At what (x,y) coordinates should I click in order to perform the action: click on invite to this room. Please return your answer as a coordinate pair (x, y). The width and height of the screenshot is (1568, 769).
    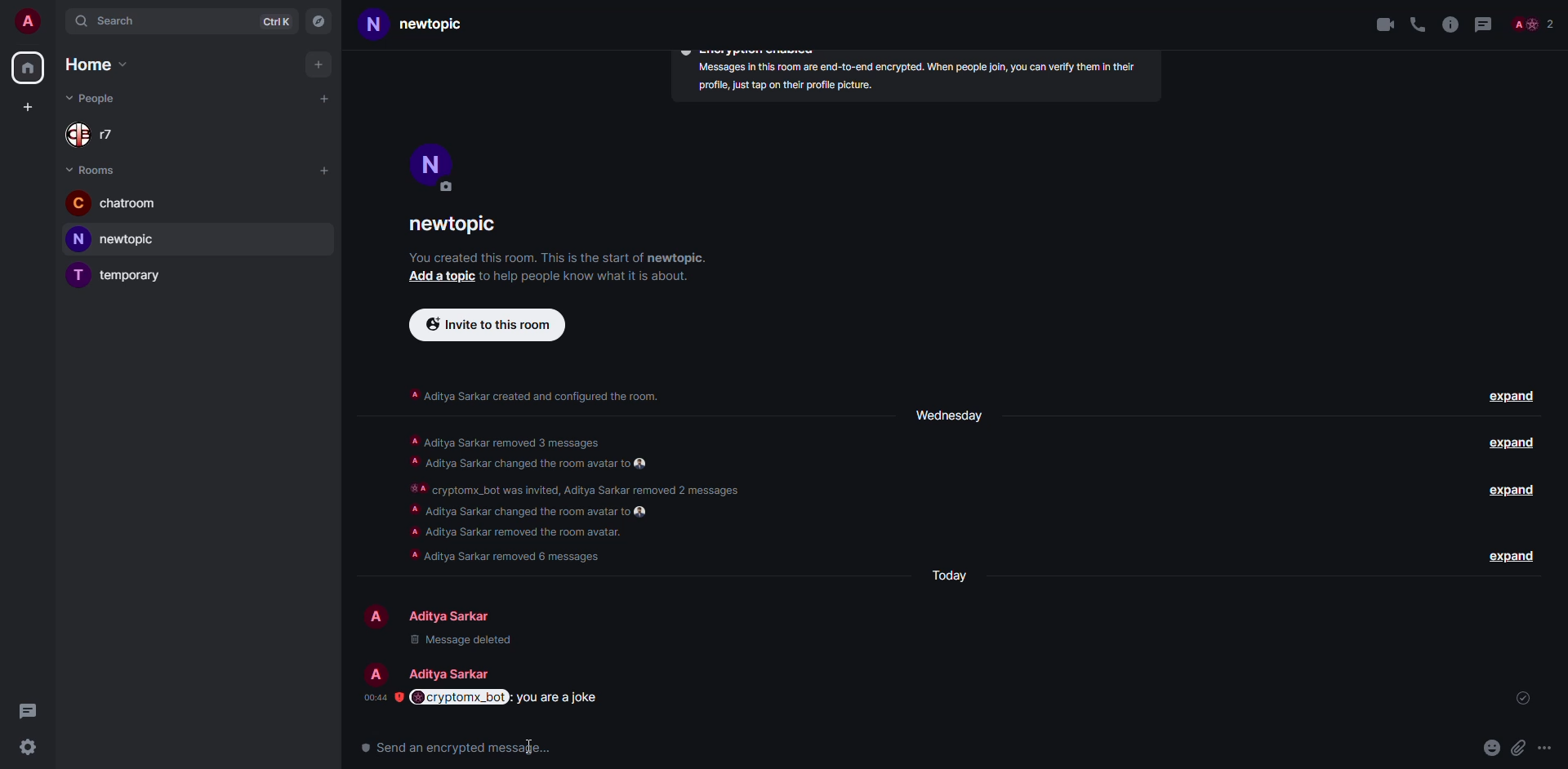
    Looking at the image, I should click on (485, 324).